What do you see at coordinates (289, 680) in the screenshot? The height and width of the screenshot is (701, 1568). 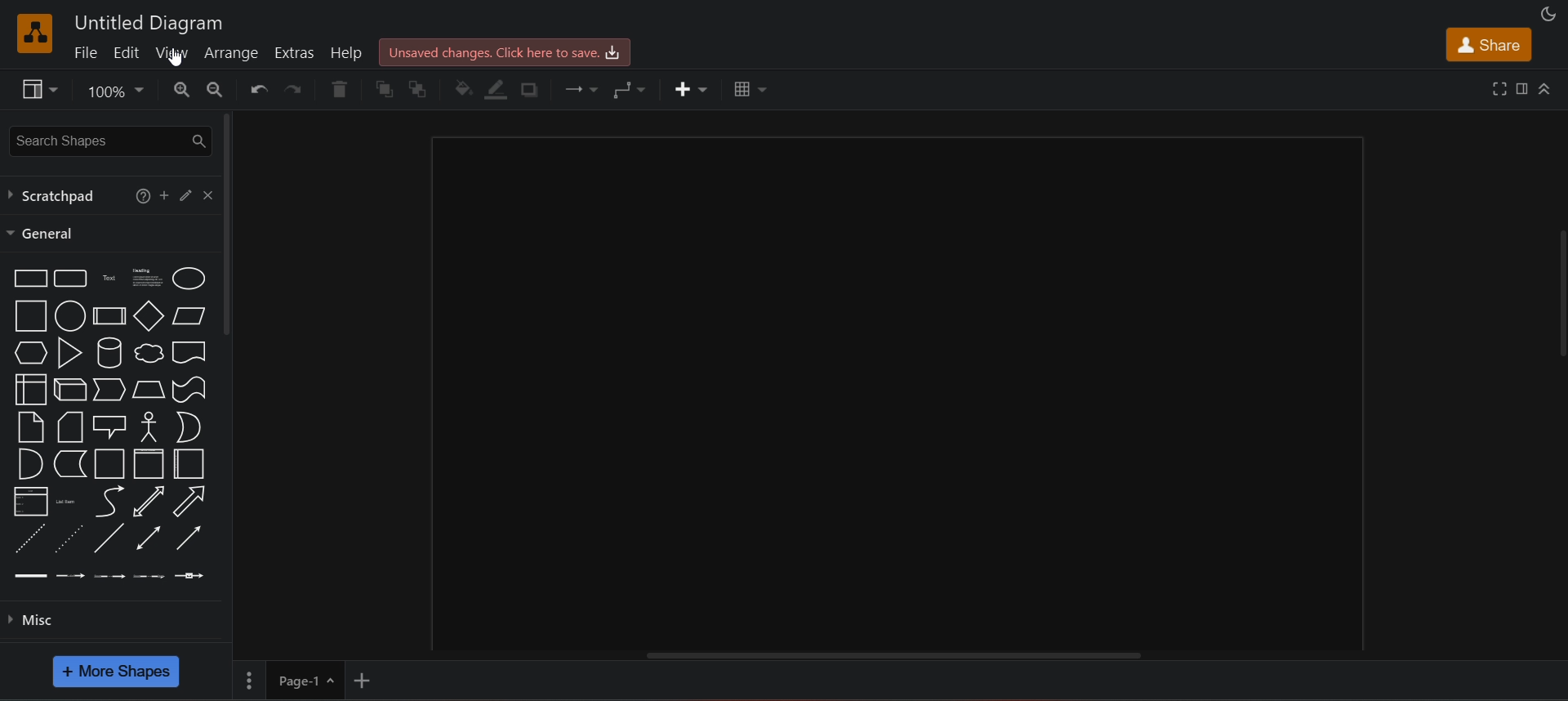 I see `page 1` at bounding box center [289, 680].